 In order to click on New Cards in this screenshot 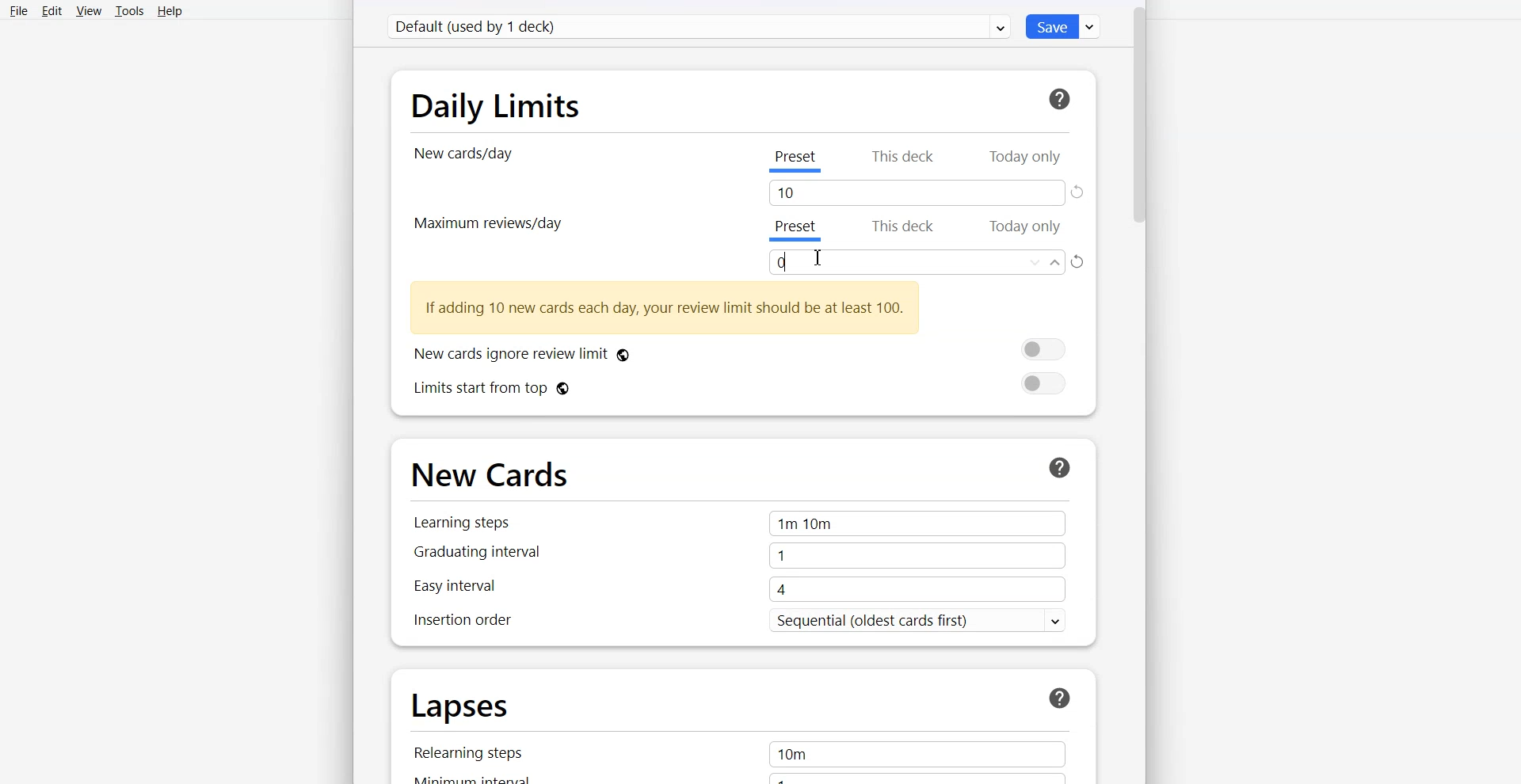, I will do `click(494, 476)`.